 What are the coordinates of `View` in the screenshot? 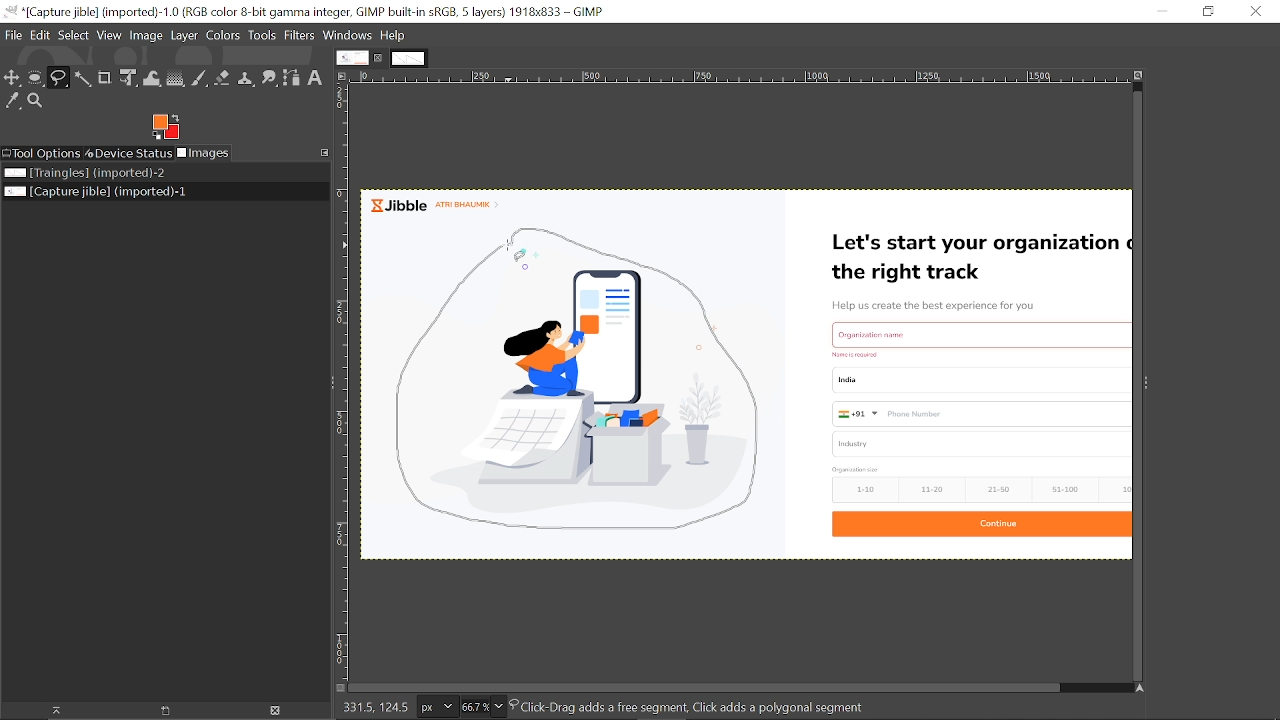 It's located at (110, 35).